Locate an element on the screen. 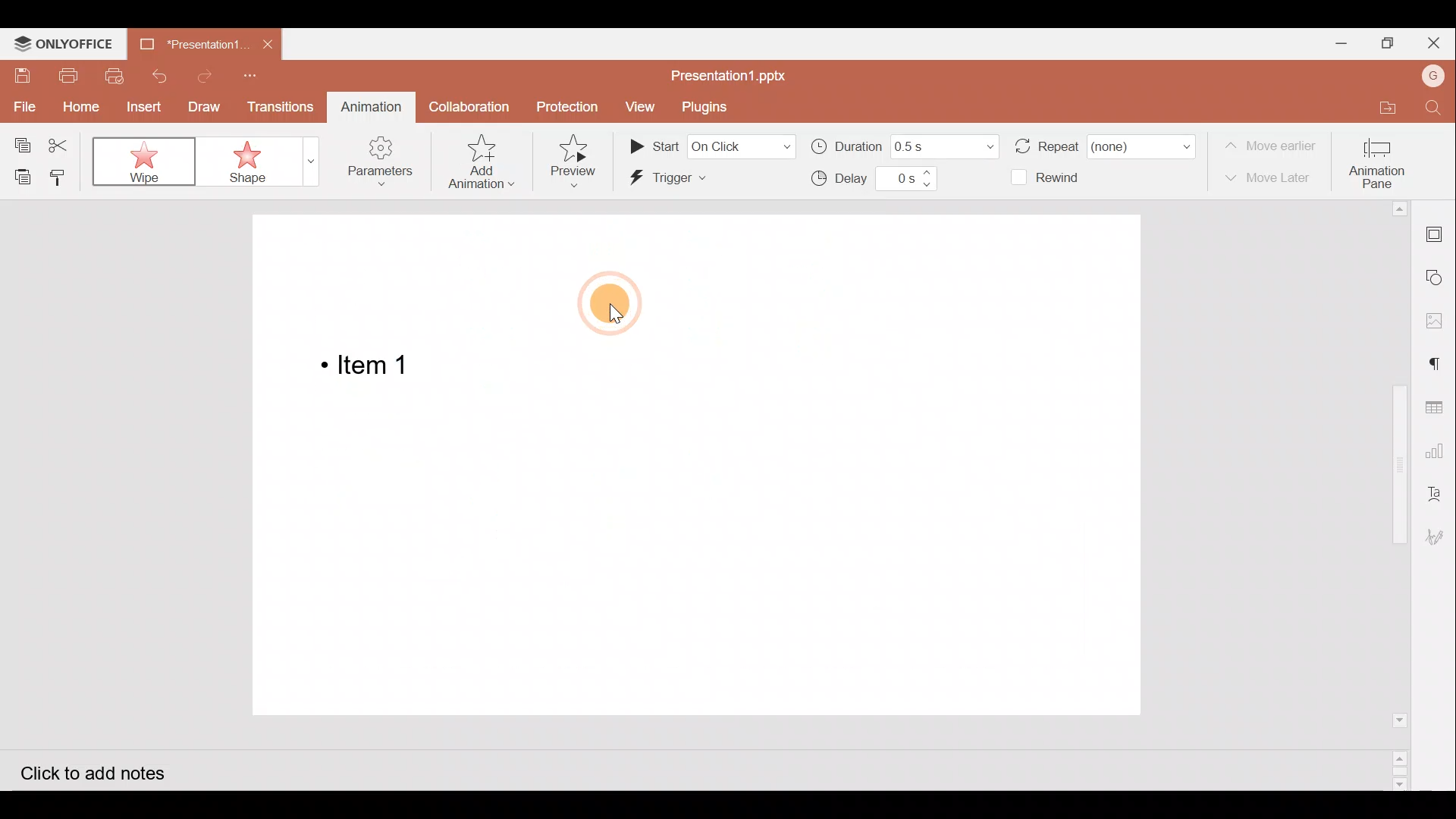 The image size is (1456, 819). Start is located at coordinates (713, 144).